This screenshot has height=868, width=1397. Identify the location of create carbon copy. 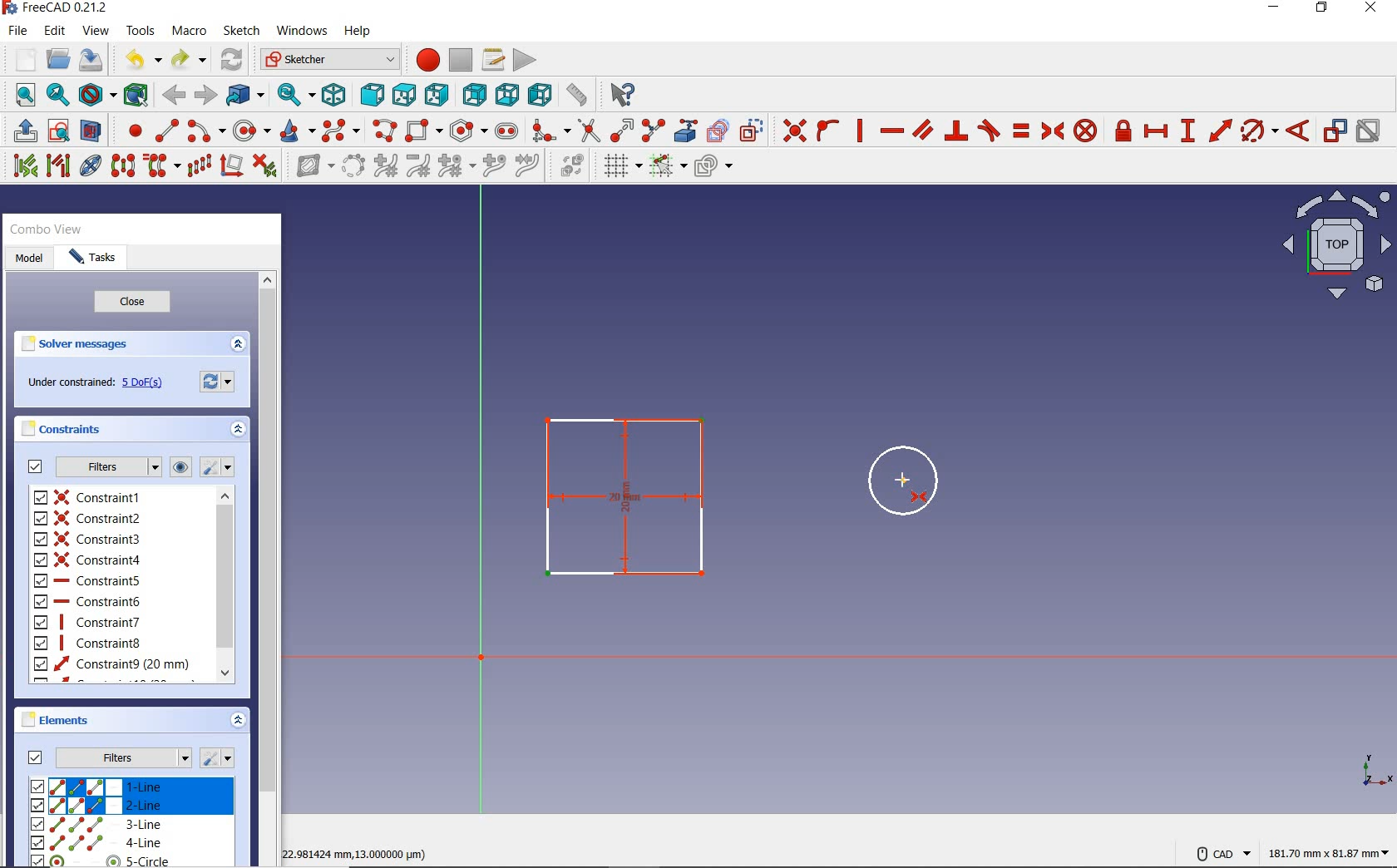
(718, 131).